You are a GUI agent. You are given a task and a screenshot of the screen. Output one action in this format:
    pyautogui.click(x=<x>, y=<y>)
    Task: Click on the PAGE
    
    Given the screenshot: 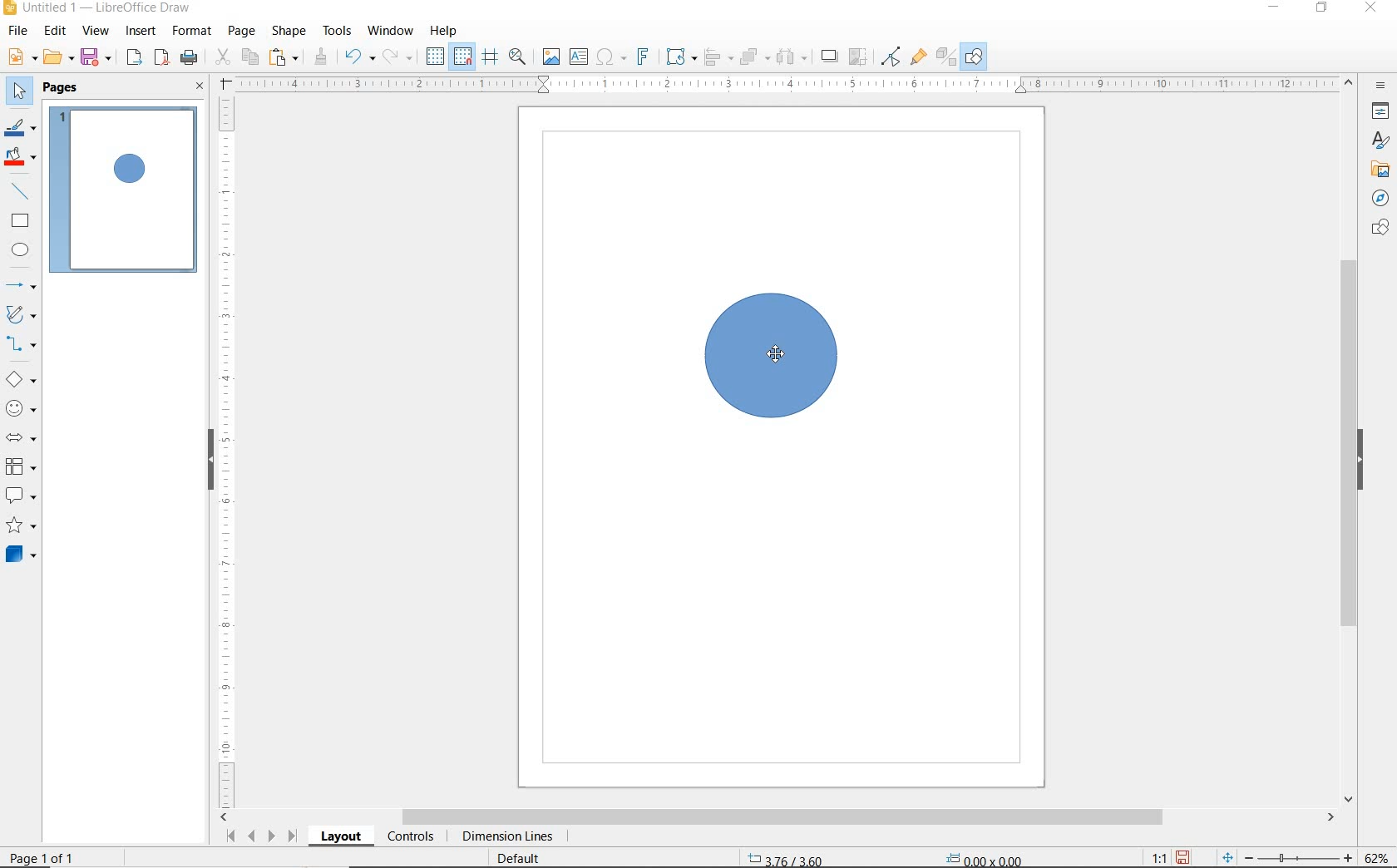 What is the action you would take?
    pyautogui.click(x=243, y=32)
    